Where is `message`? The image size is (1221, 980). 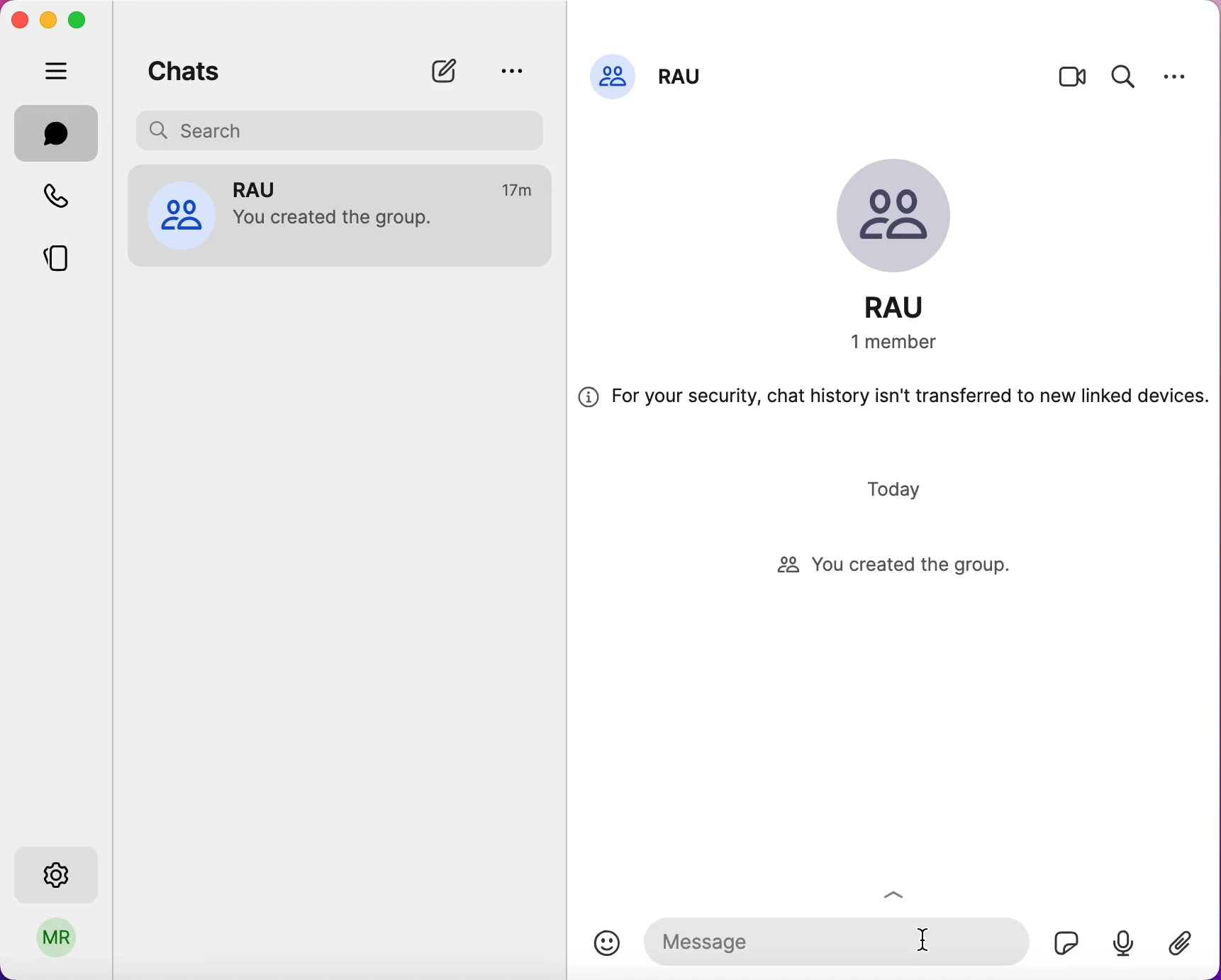
message is located at coordinates (833, 938).